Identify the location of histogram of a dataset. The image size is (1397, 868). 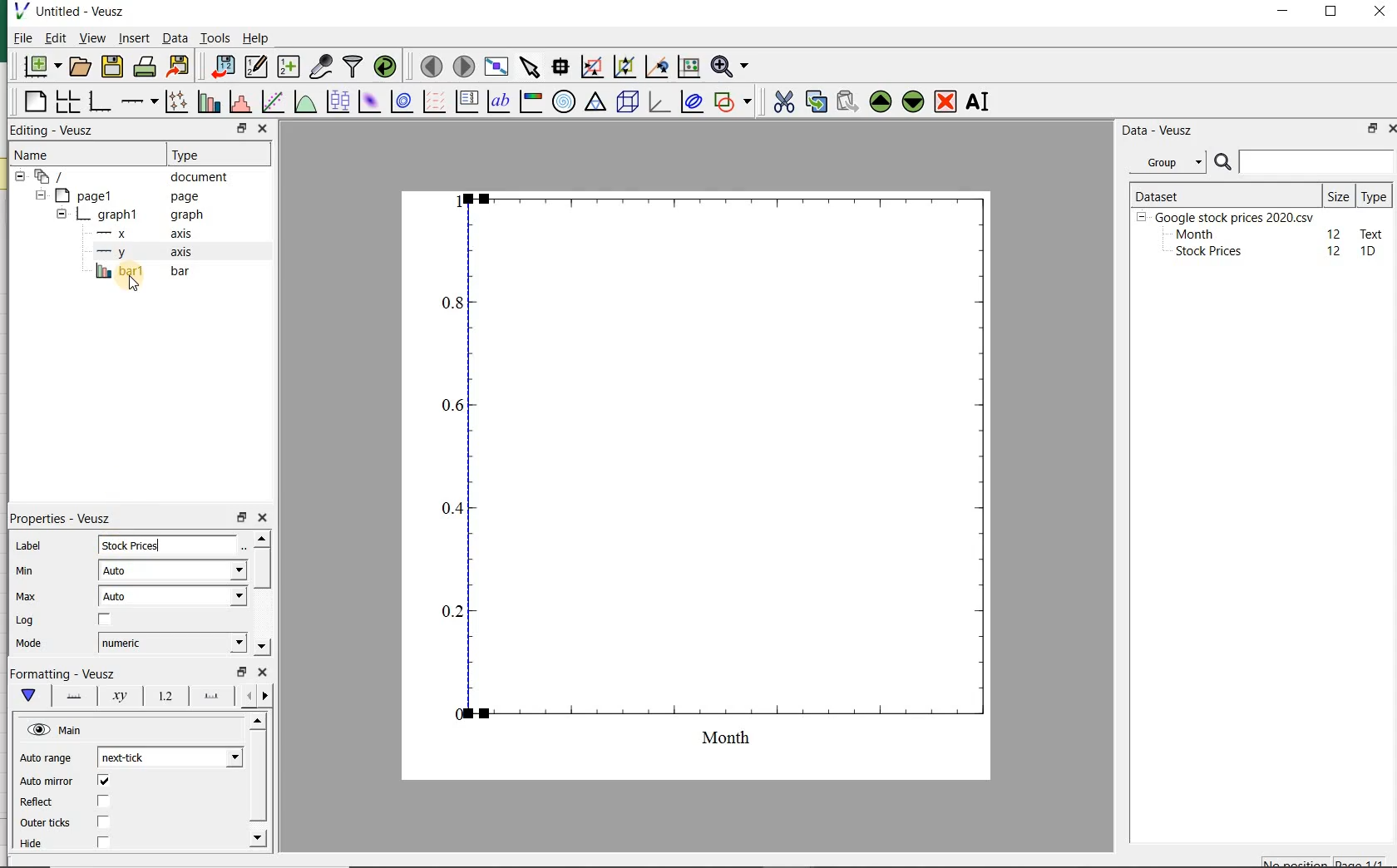
(239, 104).